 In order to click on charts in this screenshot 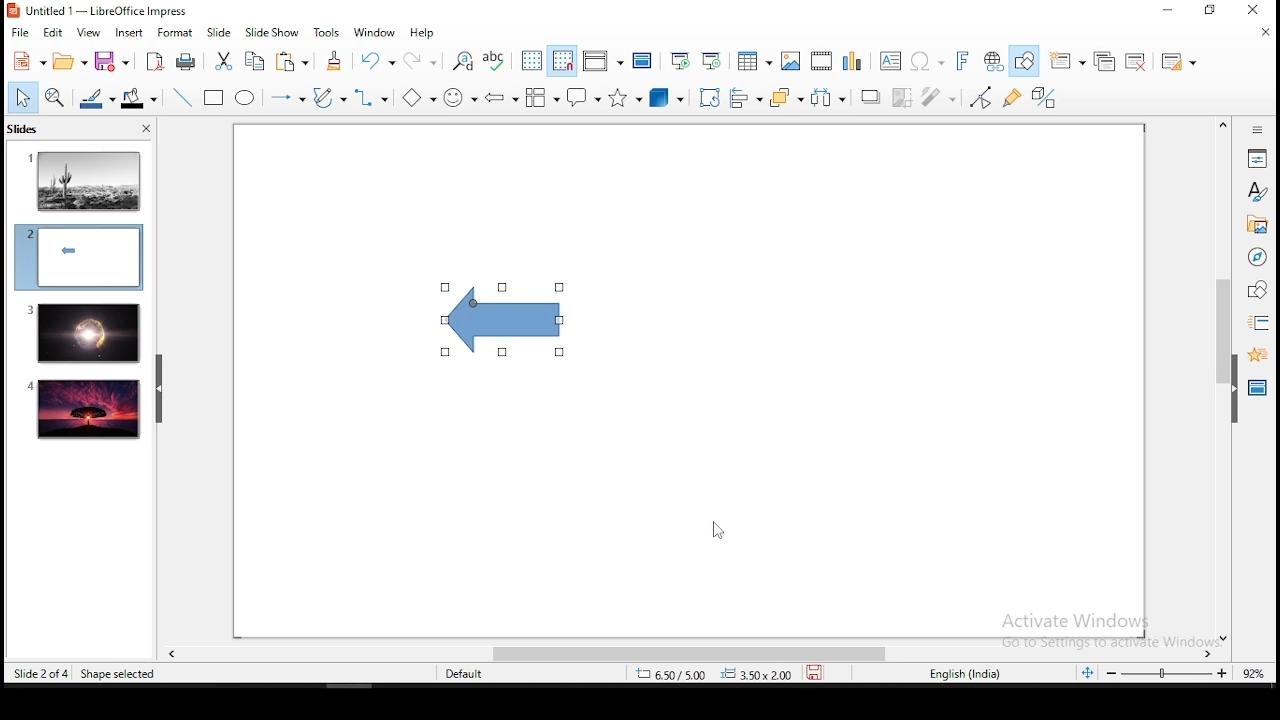, I will do `click(852, 61)`.